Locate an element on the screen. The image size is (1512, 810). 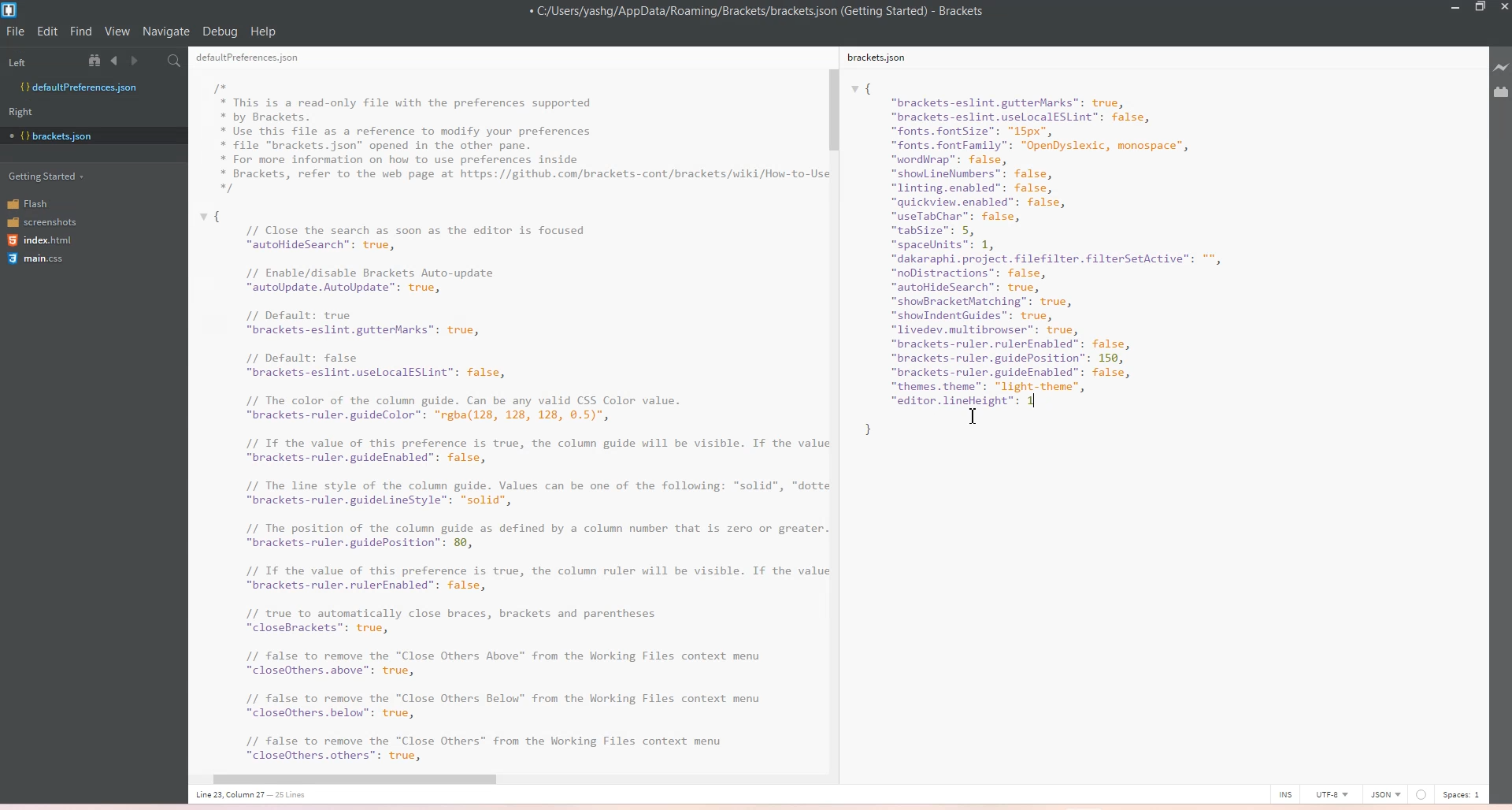
No linter available is located at coordinates (1421, 795).